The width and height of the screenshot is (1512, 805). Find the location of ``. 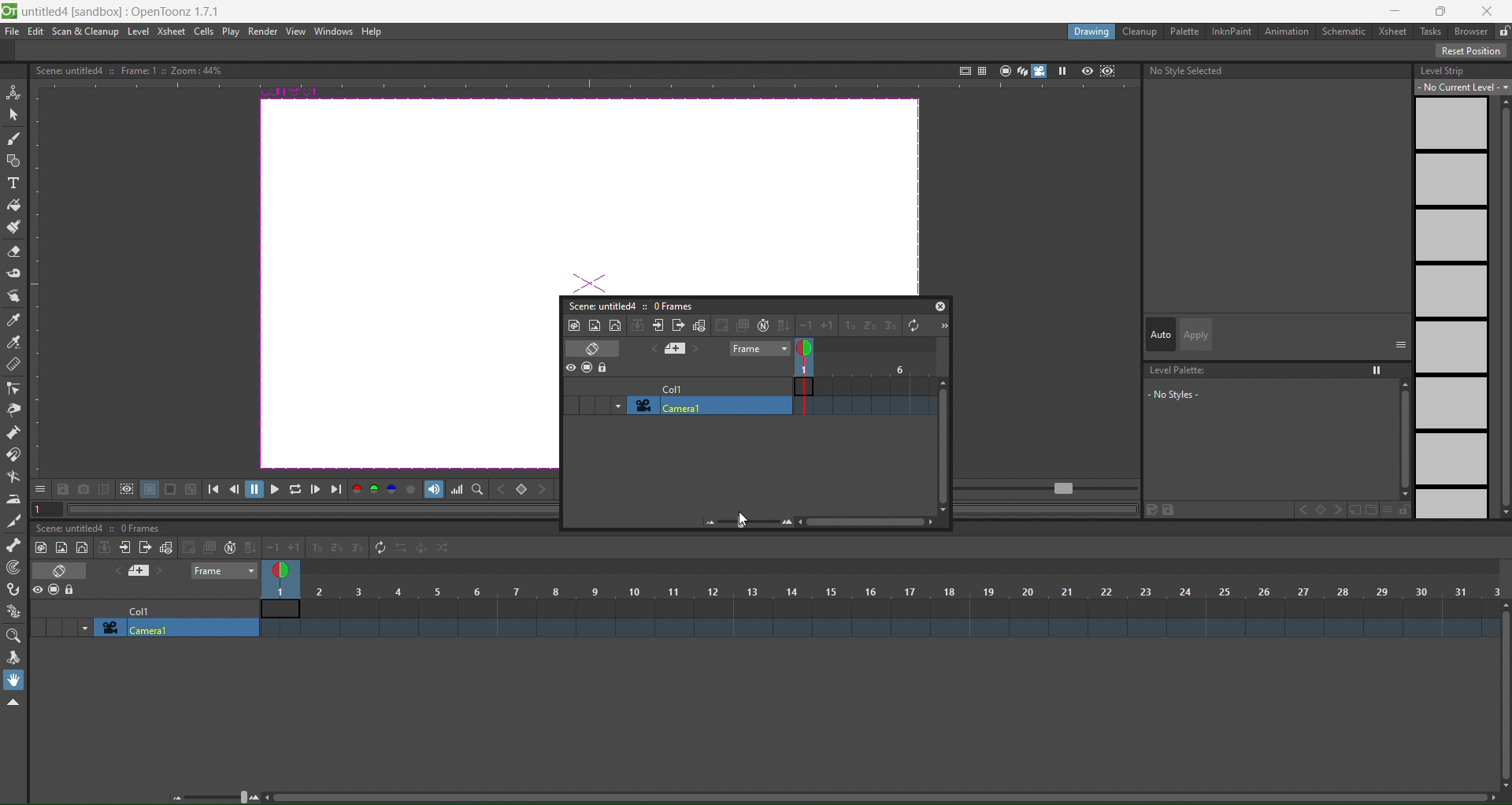

 is located at coordinates (914, 325).